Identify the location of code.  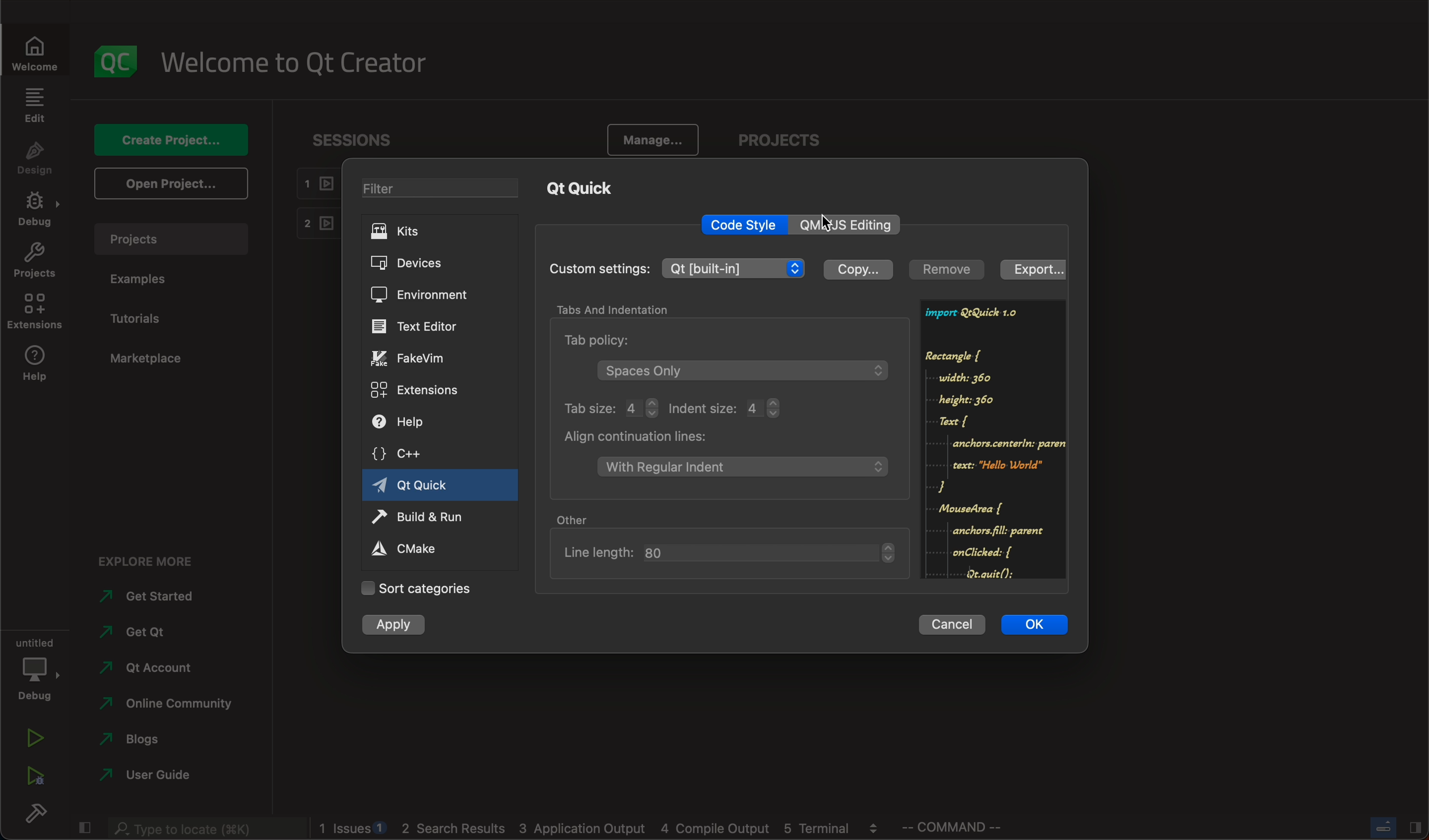
(993, 439).